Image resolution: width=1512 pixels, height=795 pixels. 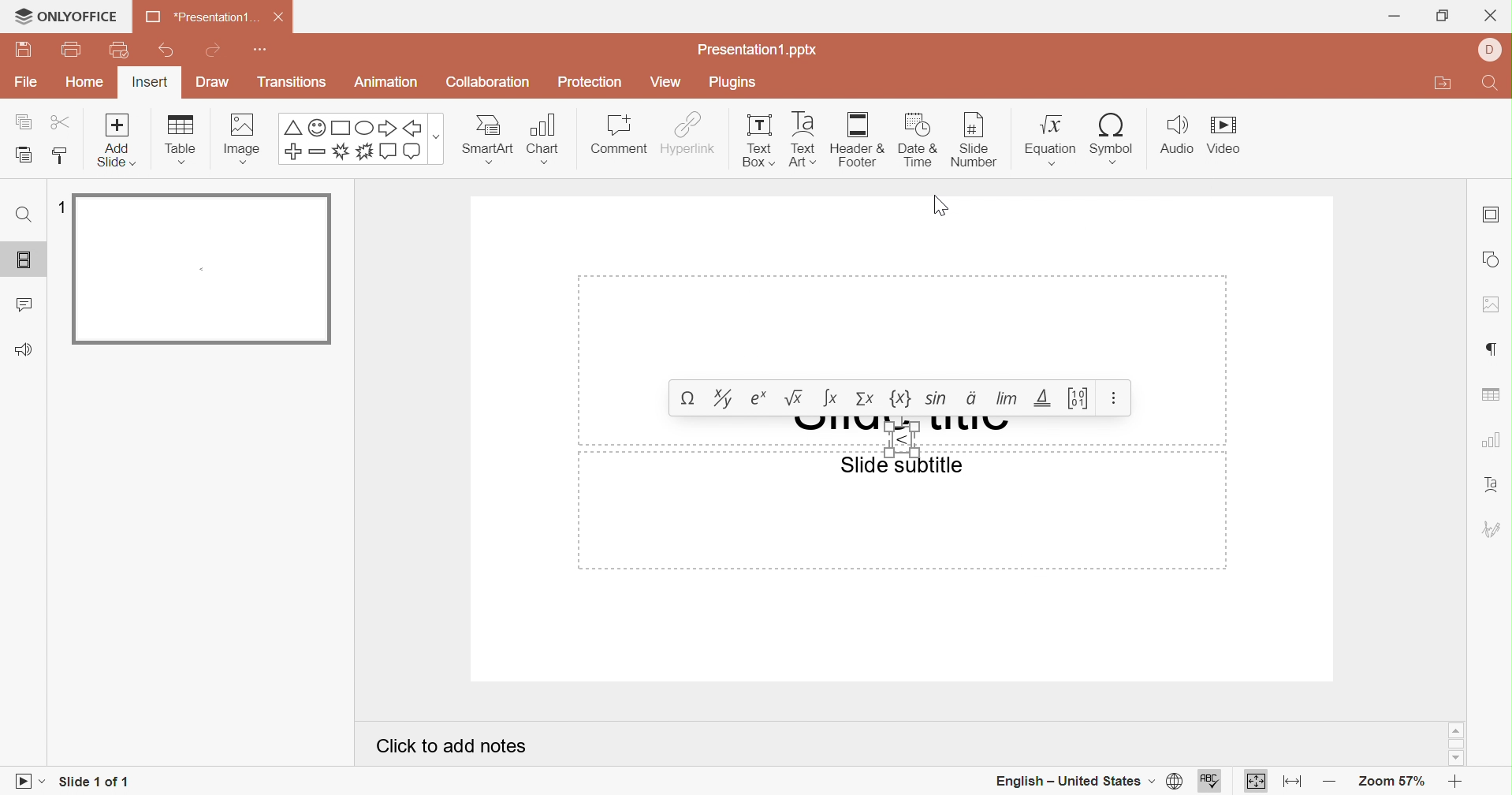 I want to click on Cursor, so click(x=939, y=209).